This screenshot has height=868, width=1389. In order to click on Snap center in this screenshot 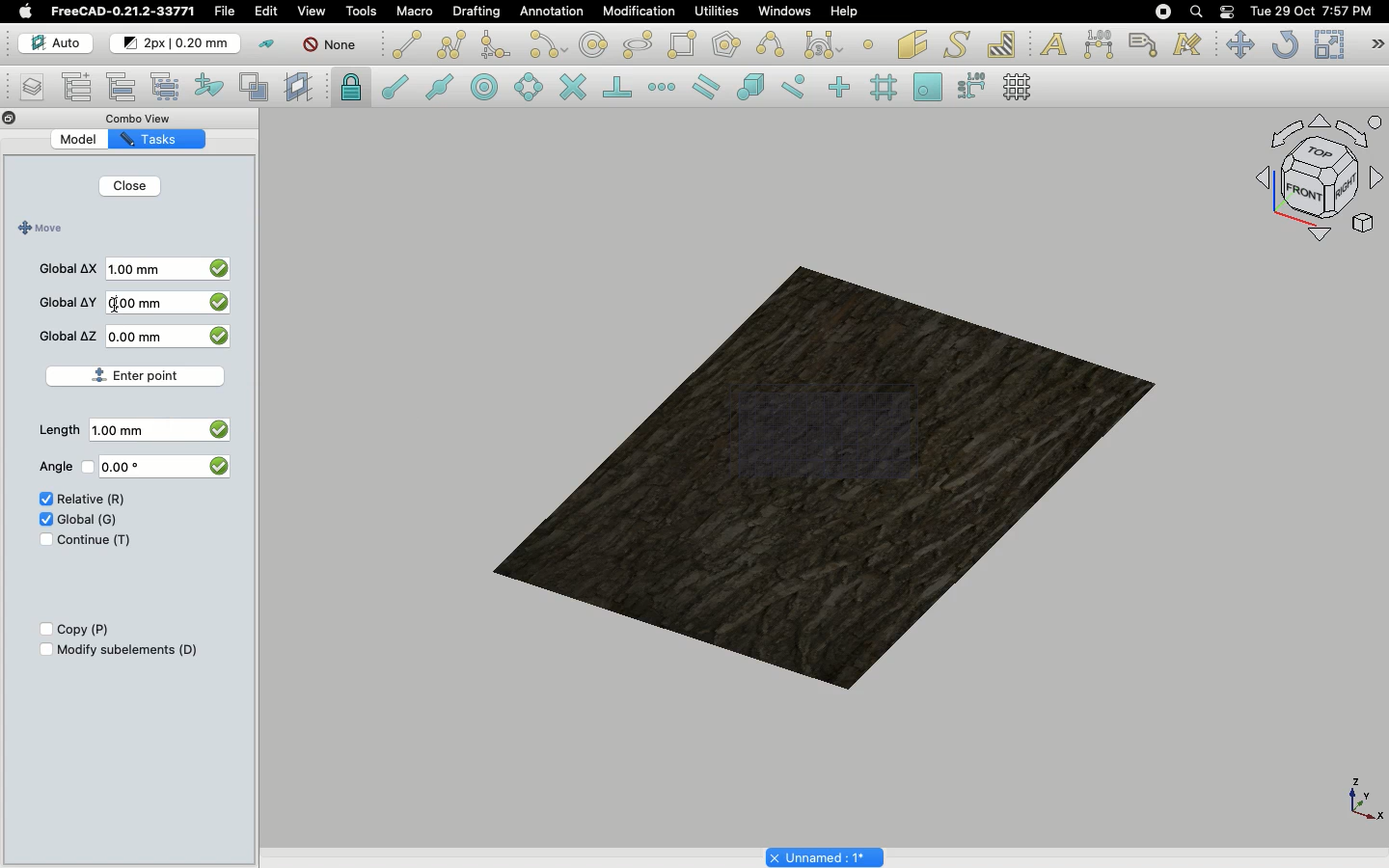, I will do `click(490, 86)`.